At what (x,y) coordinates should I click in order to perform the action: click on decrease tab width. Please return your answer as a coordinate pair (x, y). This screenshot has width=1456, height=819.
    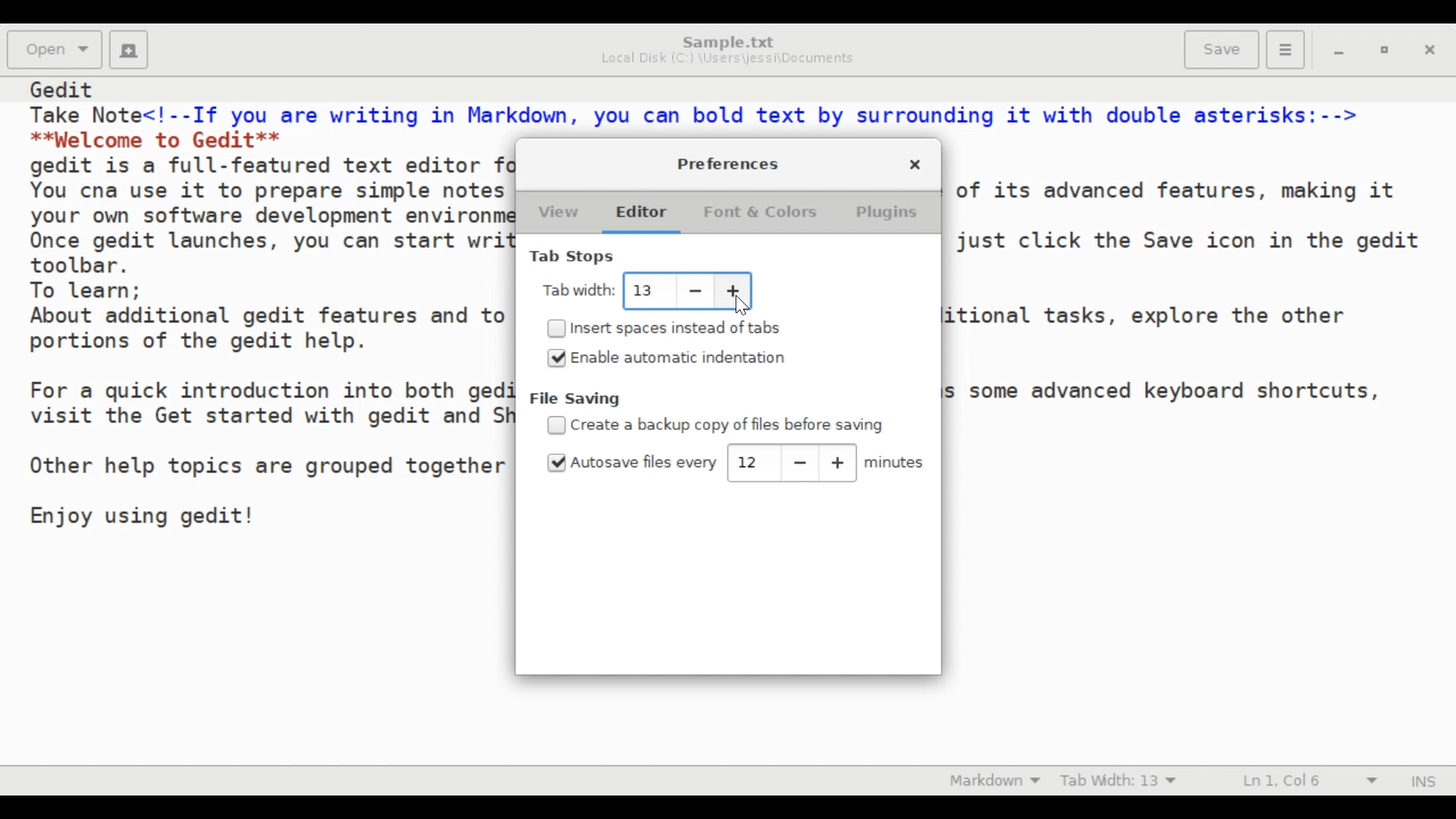
    Looking at the image, I should click on (692, 292).